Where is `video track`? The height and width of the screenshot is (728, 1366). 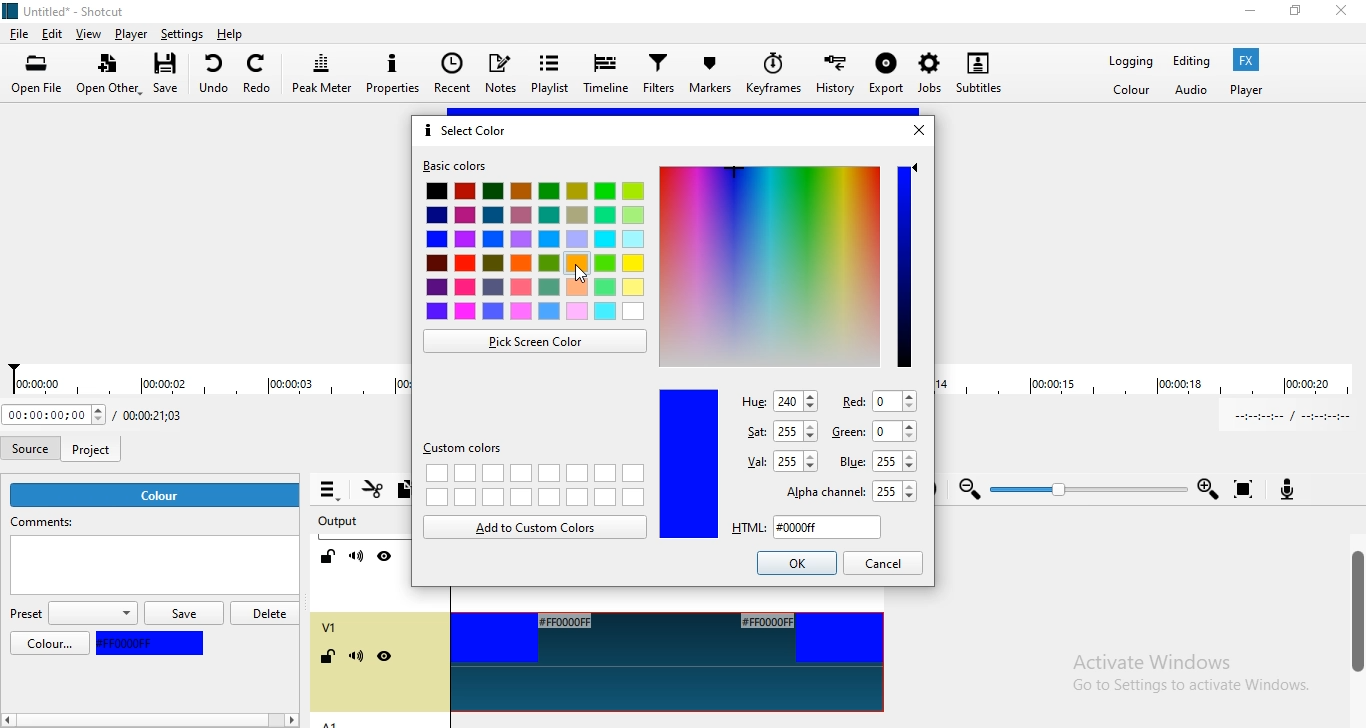 video track is located at coordinates (666, 666).